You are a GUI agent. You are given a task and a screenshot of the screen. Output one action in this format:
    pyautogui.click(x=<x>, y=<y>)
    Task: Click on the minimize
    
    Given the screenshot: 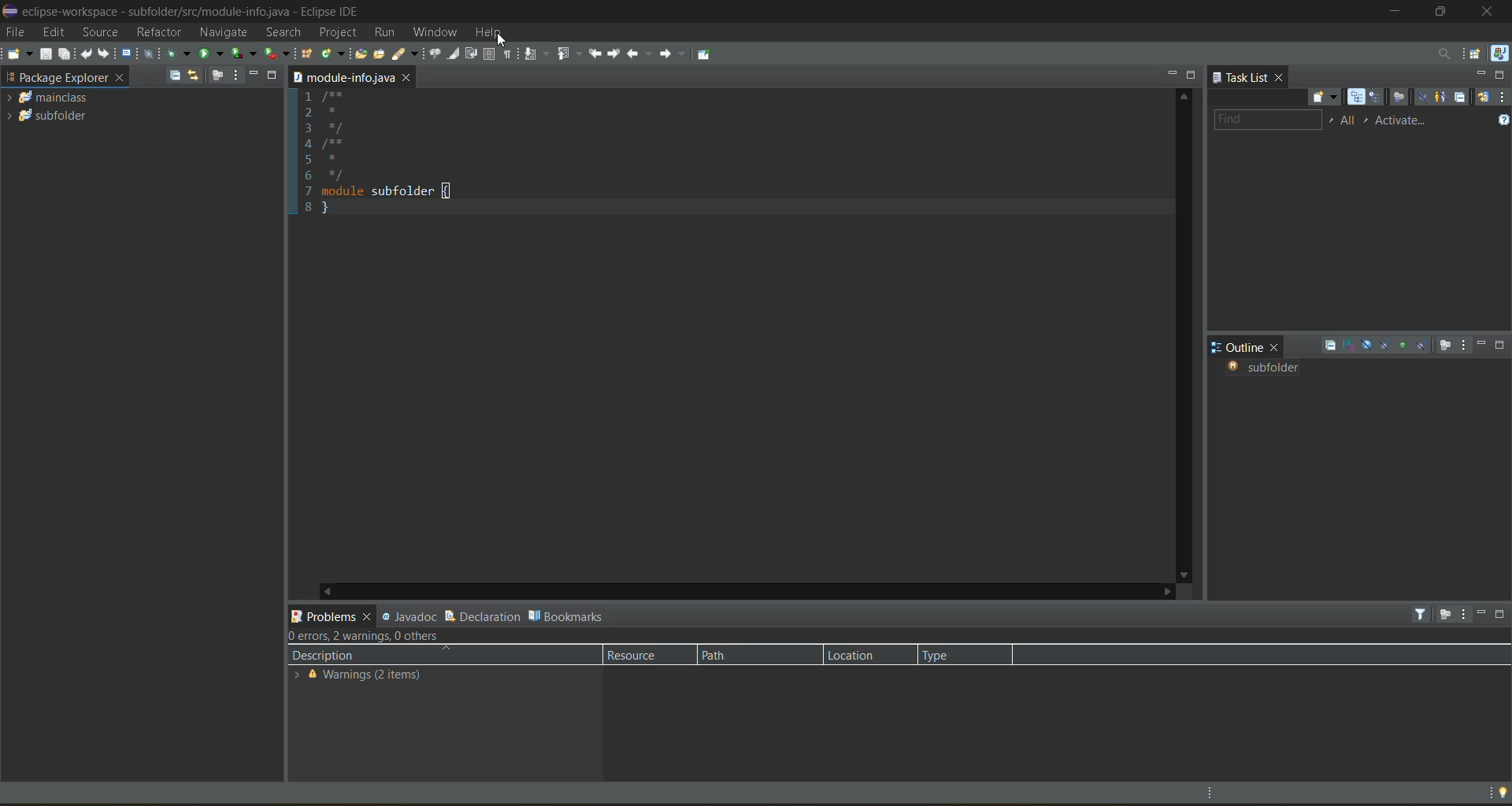 What is the action you would take?
    pyautogui.click(x=1395, y=10)
    